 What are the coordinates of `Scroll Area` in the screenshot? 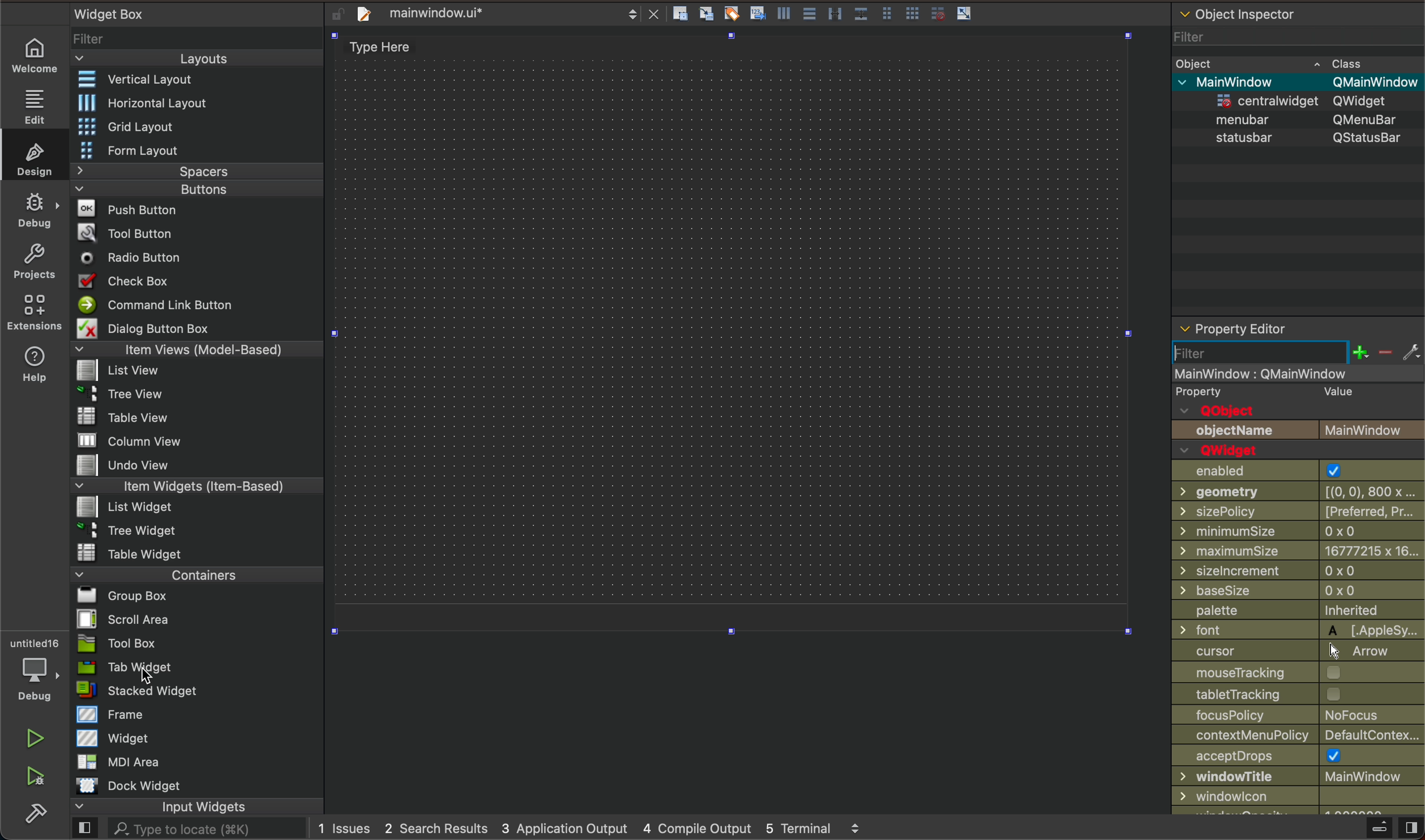 It's located at (127, 618).